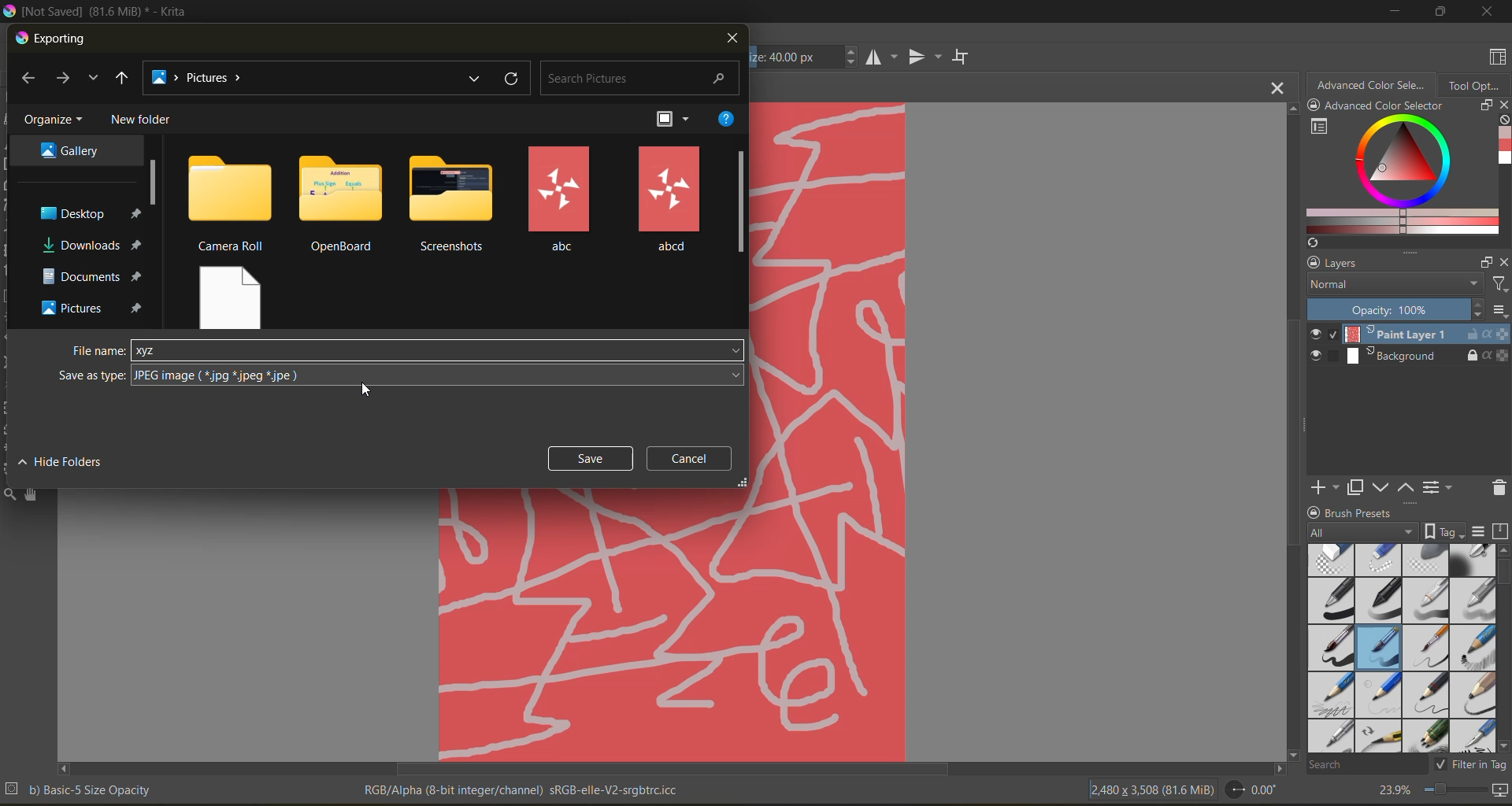 This screenshot has width=1512, height=806. I want to click on organize, so click(57, 120).